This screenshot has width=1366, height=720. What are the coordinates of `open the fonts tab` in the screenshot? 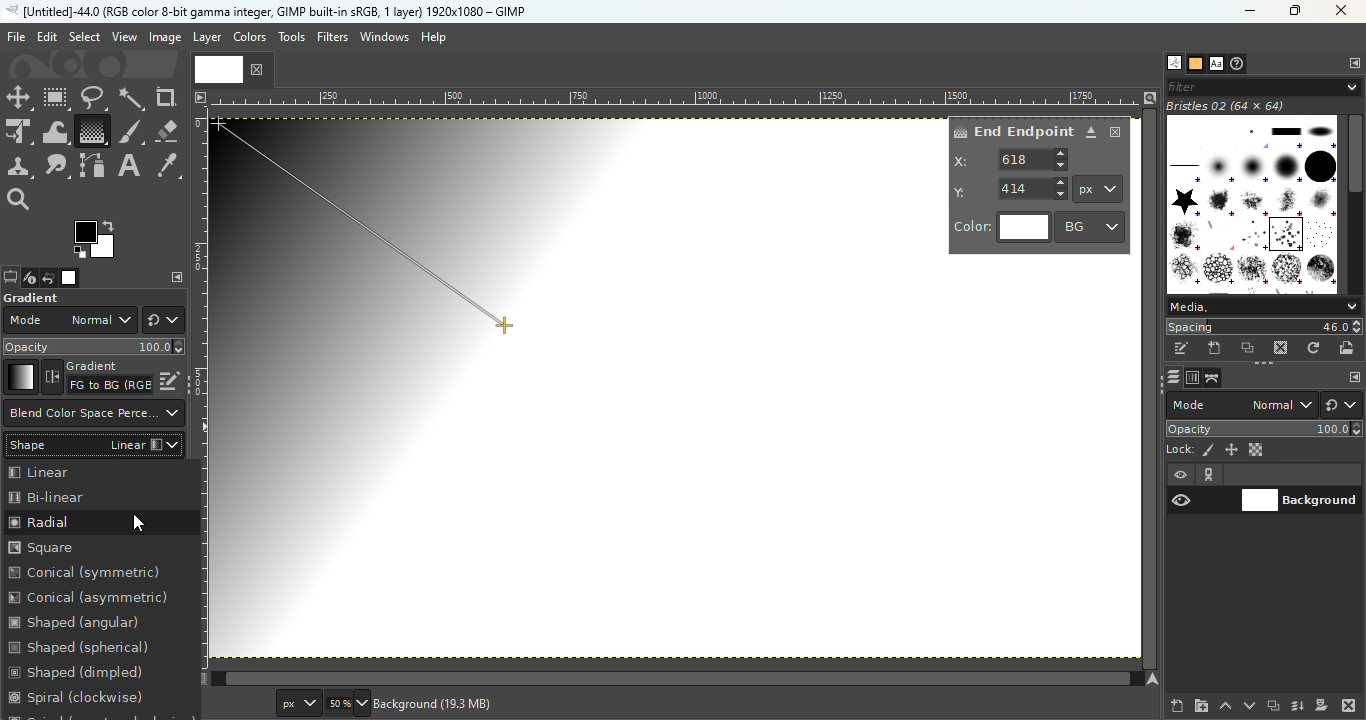 It's located at (1216, 64).